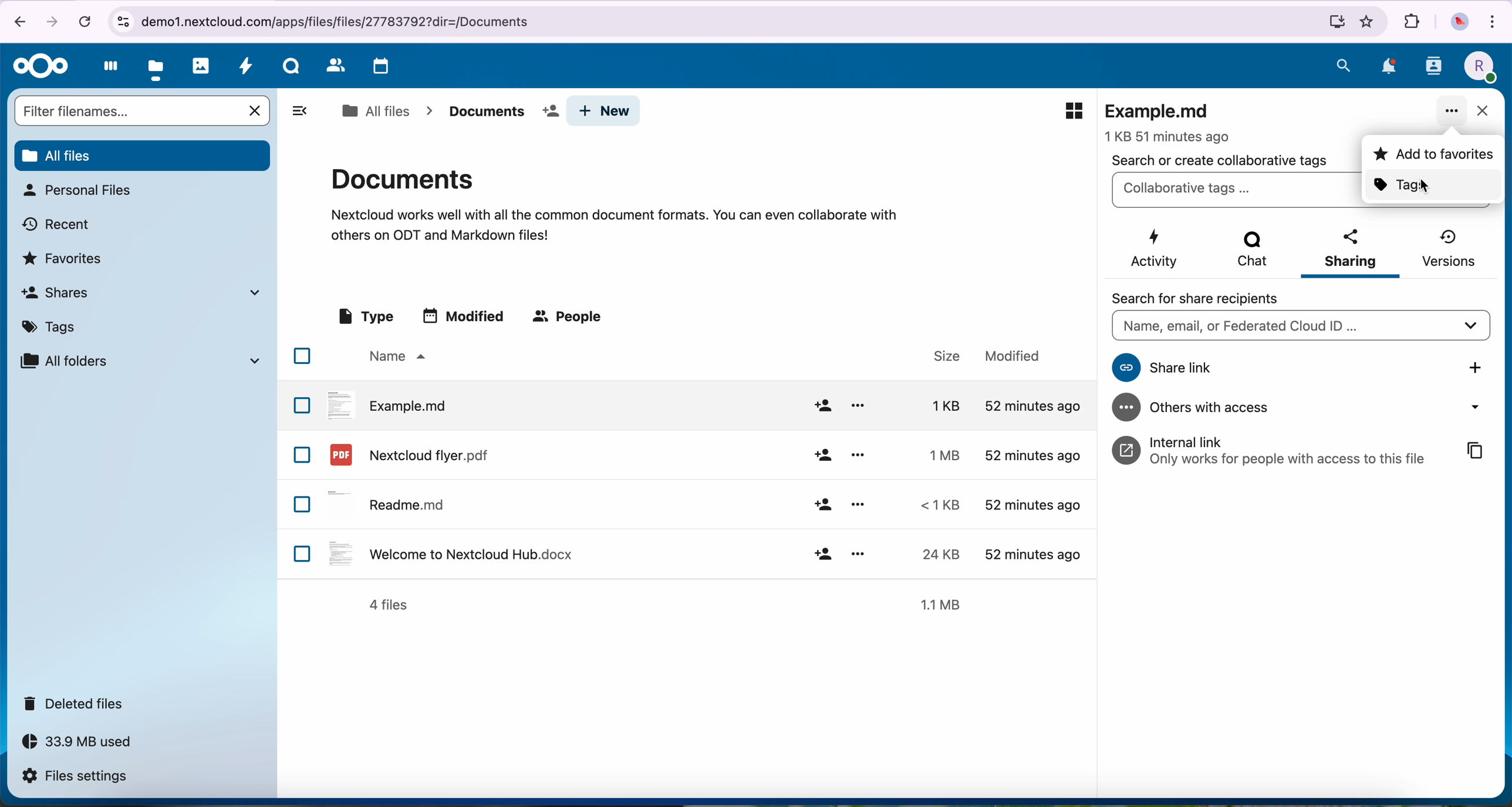 The width and height of the screenshot is (1512, 807). Describe the element at coordinates (1496, 20) in the screenshot. I see `customize and control Google Chrome` at that location.